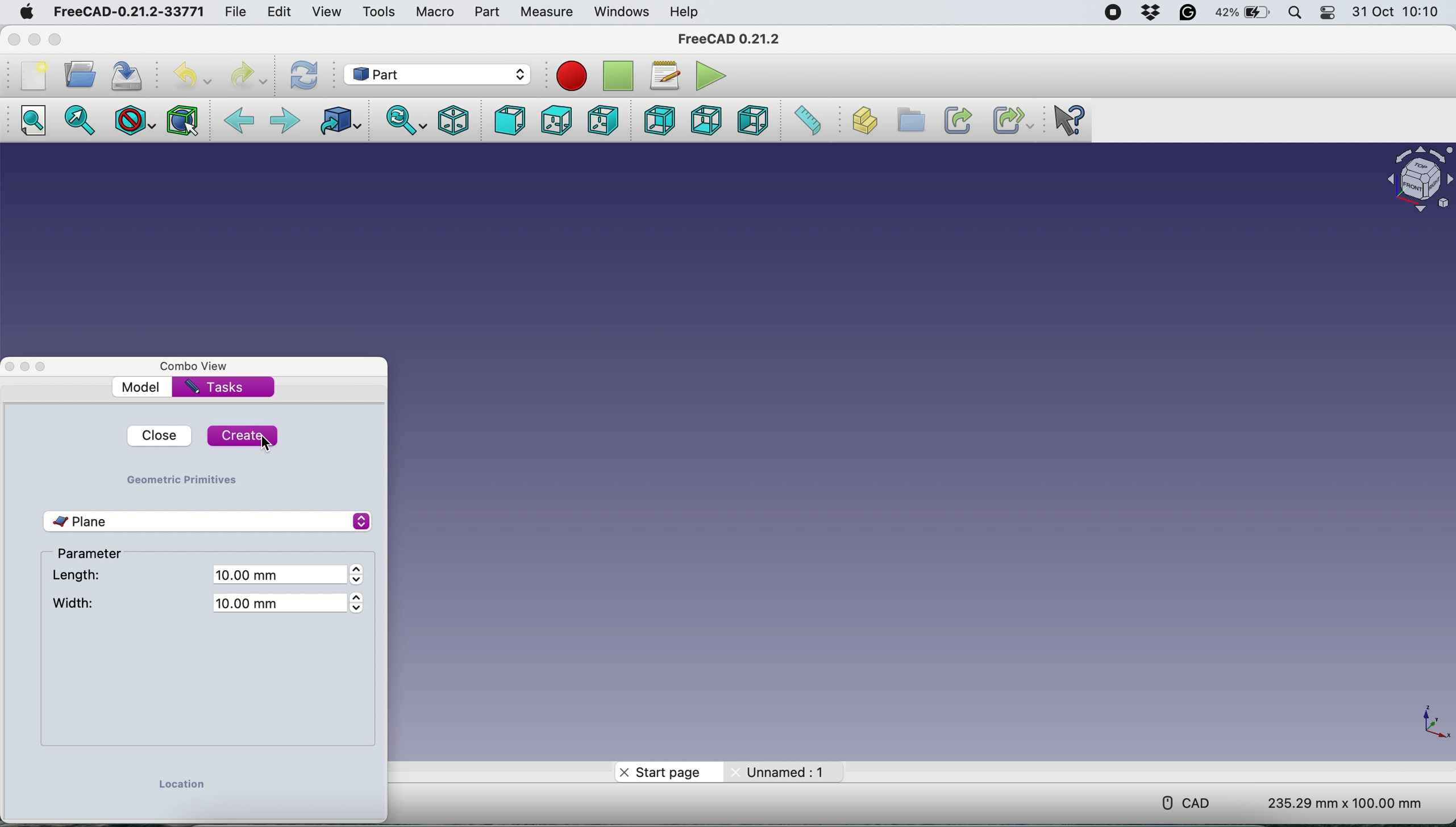 The width and height of the screenshot is (1456, 827). What do you see at coordinates (34, 39) in the screenshot?
I see `minimize` at bounding box center [34, 39].